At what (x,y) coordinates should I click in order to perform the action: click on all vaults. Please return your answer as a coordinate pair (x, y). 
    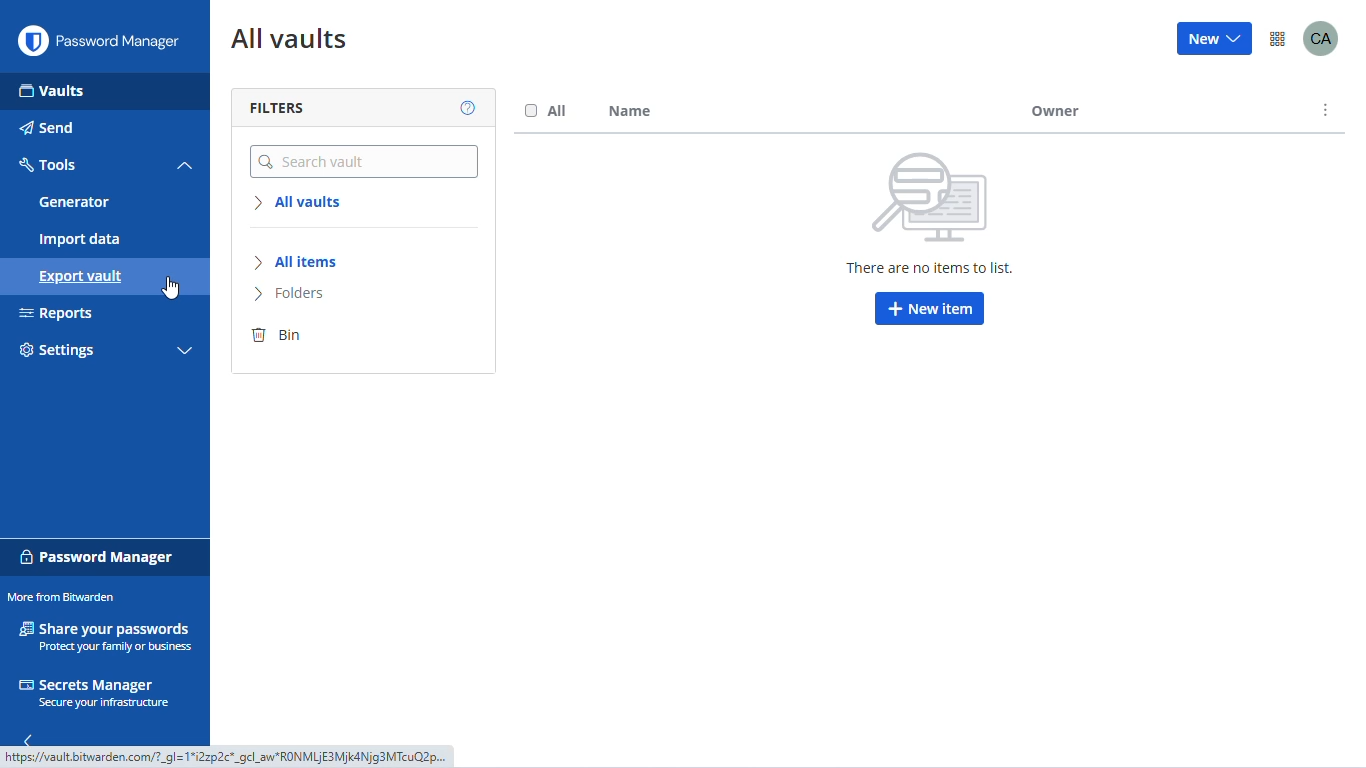
    Looking at the image, I should click on (291, 41).